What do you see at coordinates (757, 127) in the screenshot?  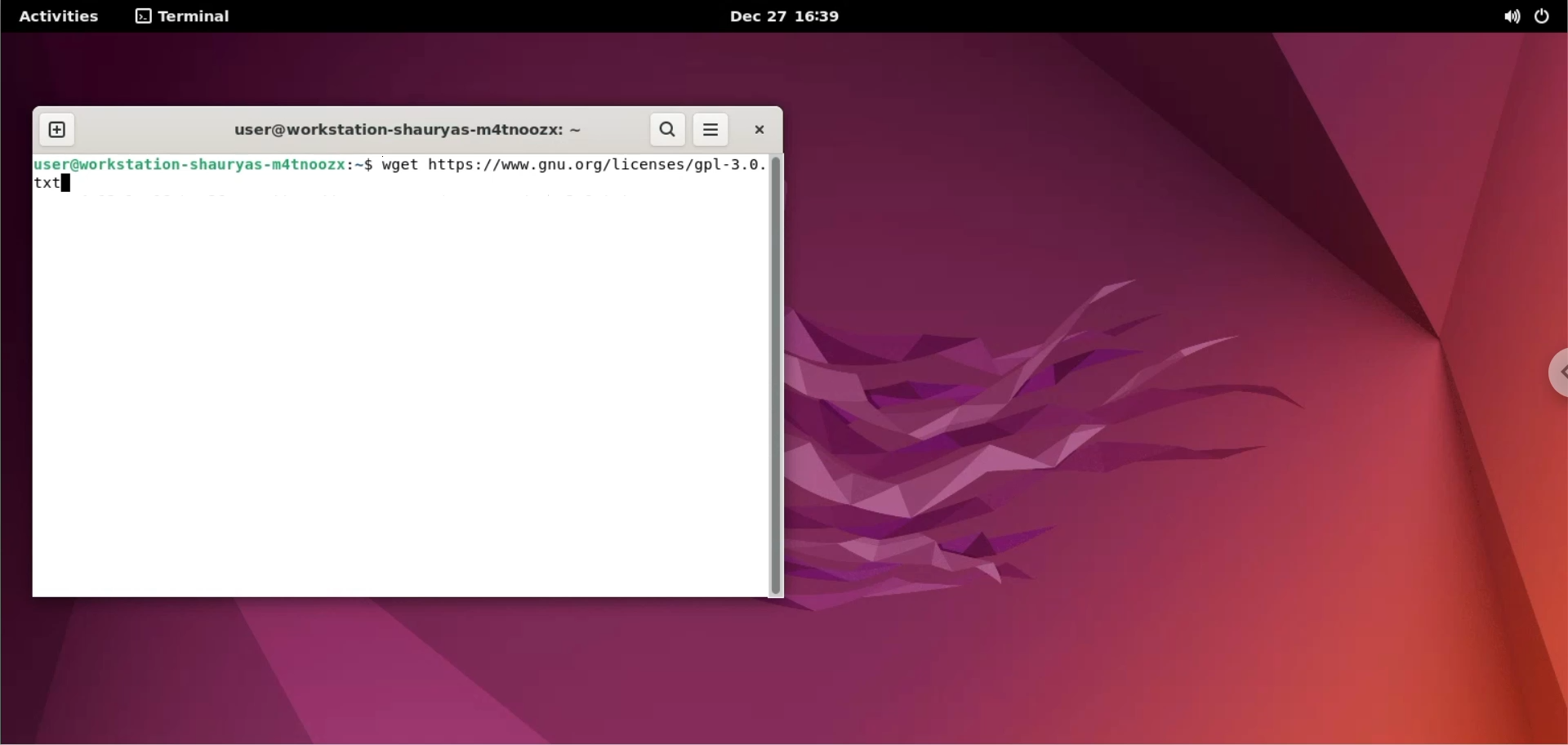 I see `close` at bounding box center [757, 127].